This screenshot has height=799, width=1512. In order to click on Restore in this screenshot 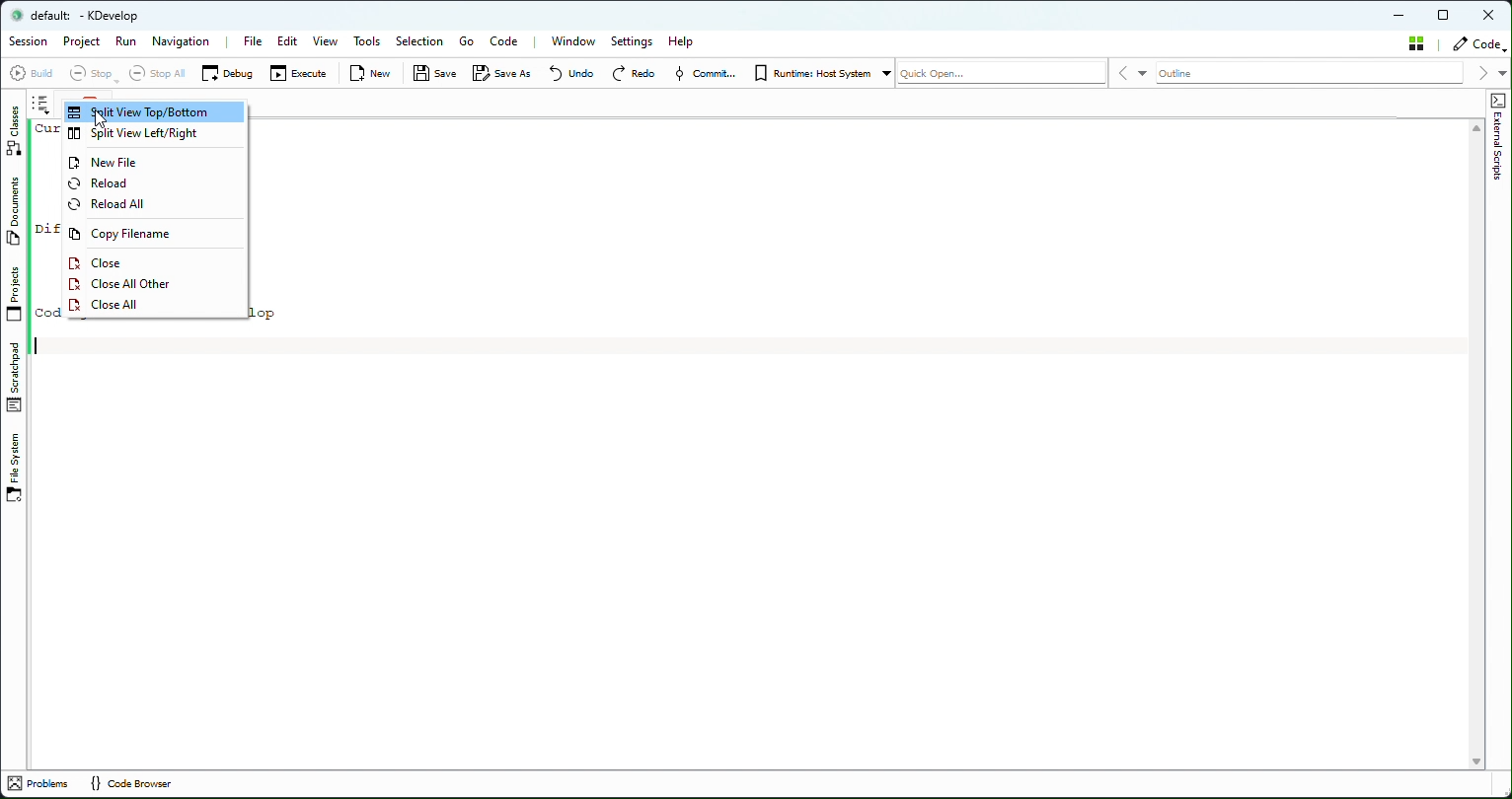, I will do `click(1447, 14)`.